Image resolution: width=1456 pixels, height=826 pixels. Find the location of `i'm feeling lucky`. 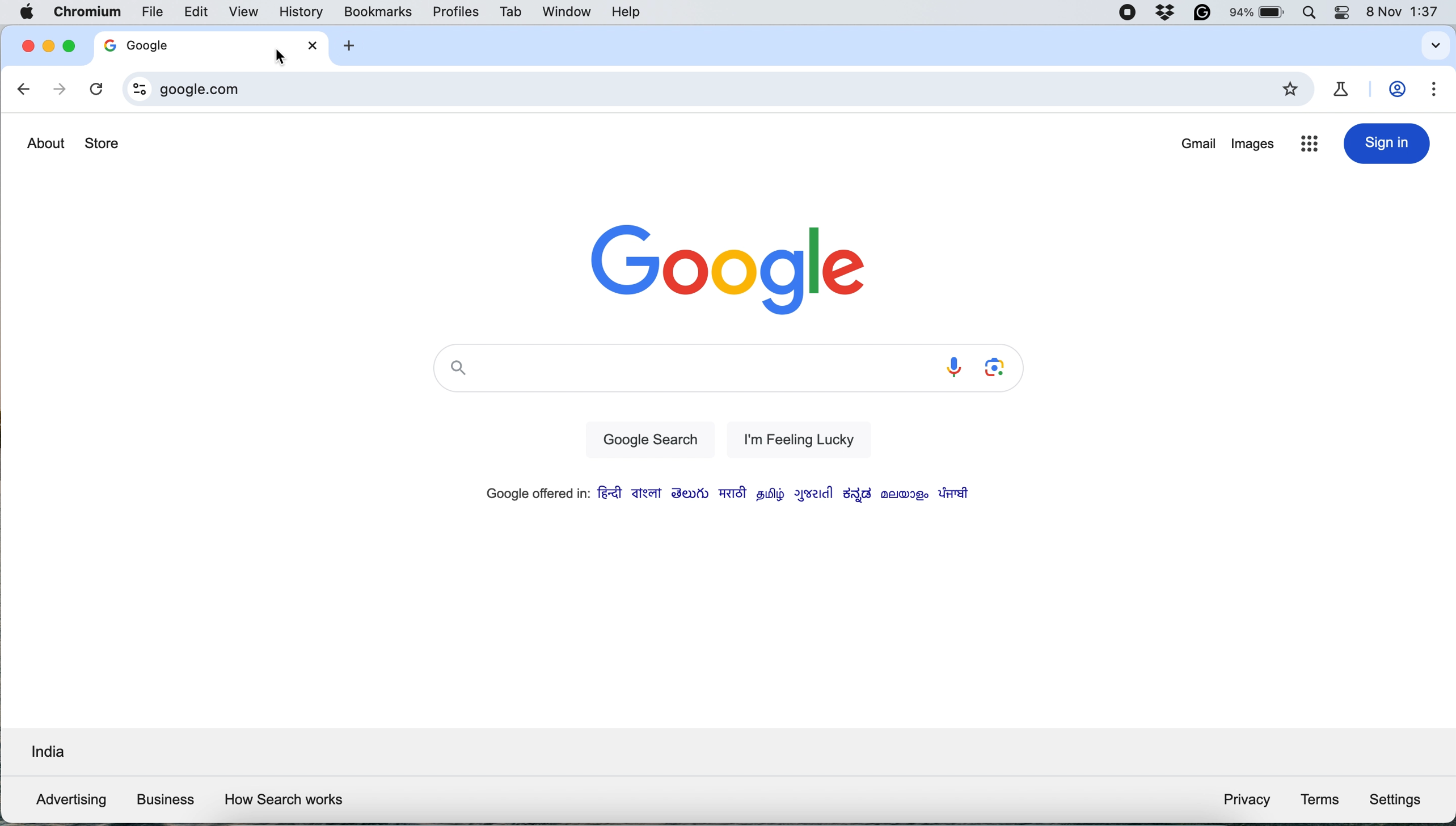

i'm feeling lucky is located at coordinates (793, 439).